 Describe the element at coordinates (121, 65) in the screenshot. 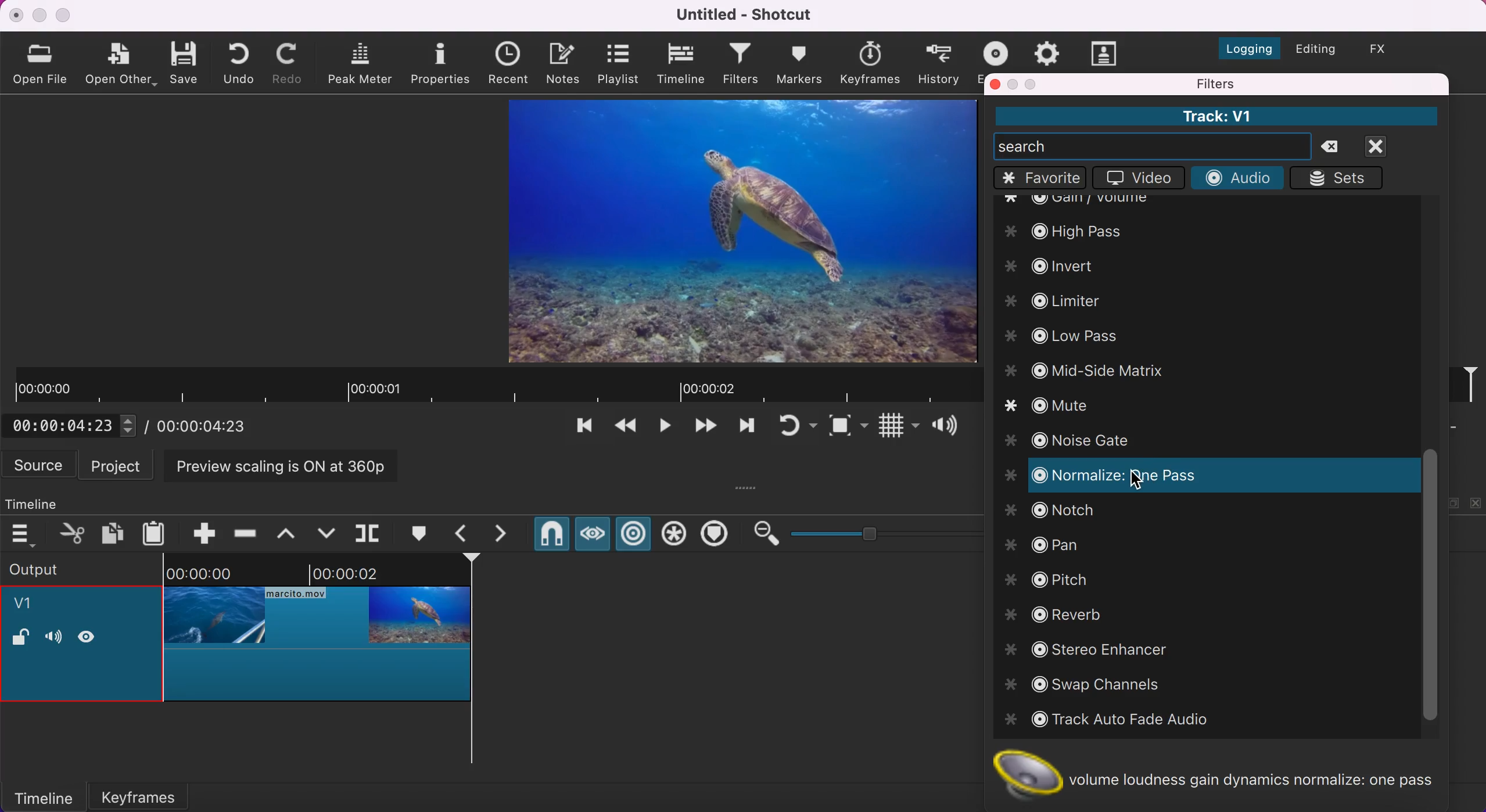

I see `open other` at that location.